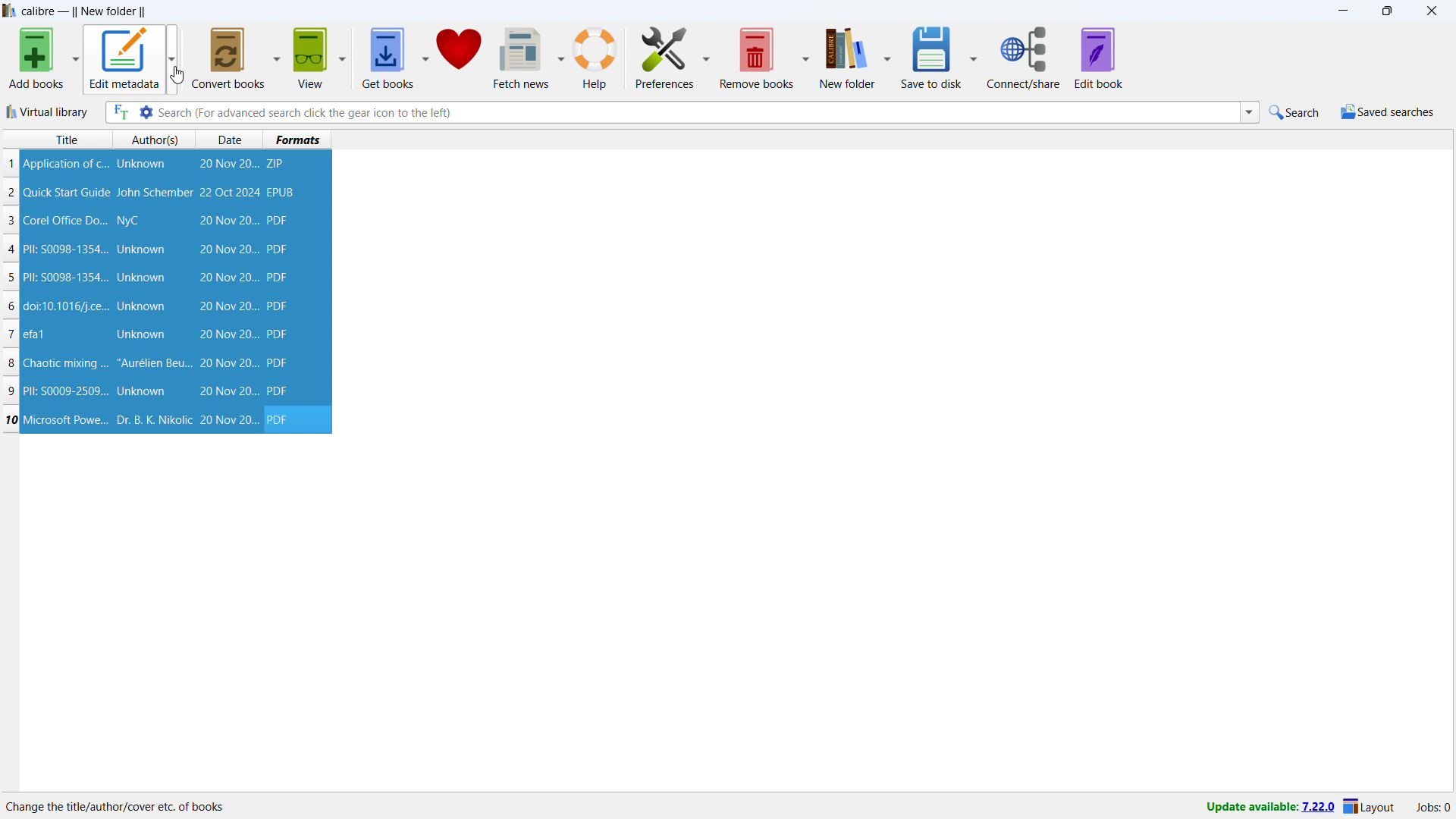 This screenshot has width=1456, height=819. Describe the element at coordinates (11, 419) in the screenshot. I see `10` at that location.